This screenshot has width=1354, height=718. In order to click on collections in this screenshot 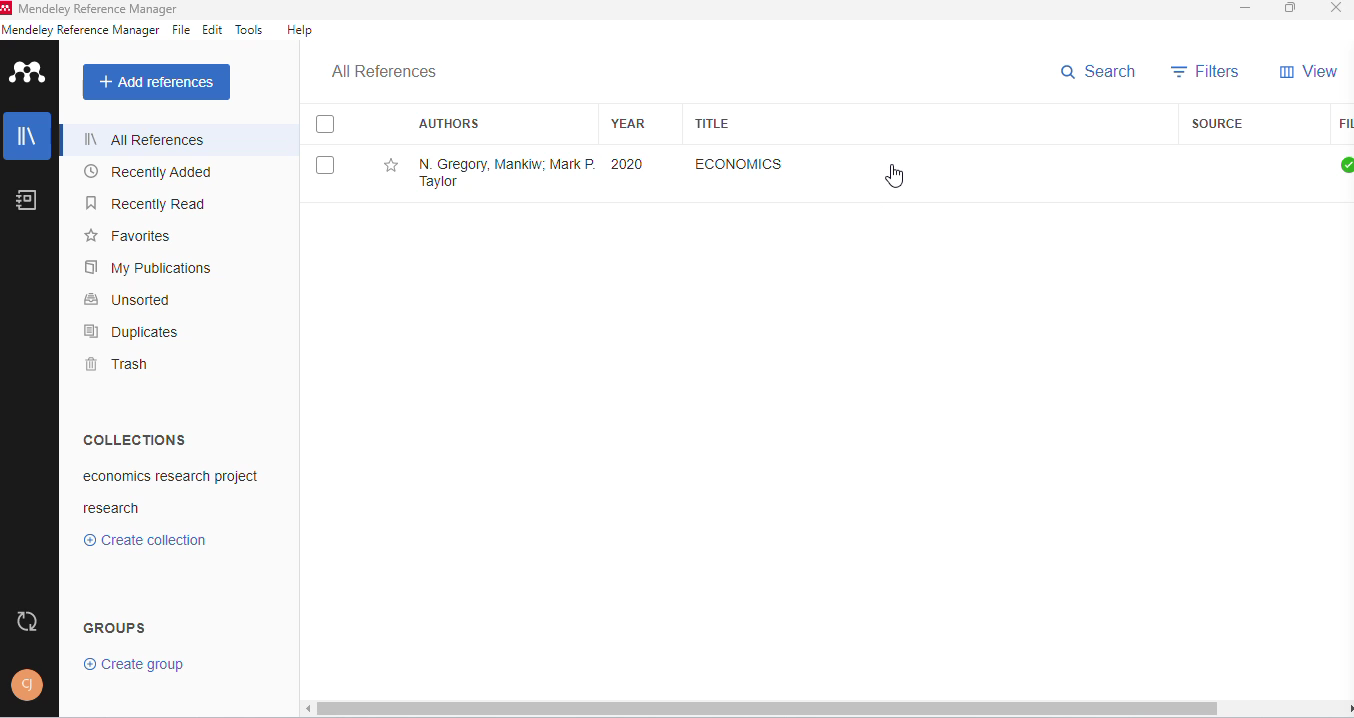, I will do `click(136, 439)`.